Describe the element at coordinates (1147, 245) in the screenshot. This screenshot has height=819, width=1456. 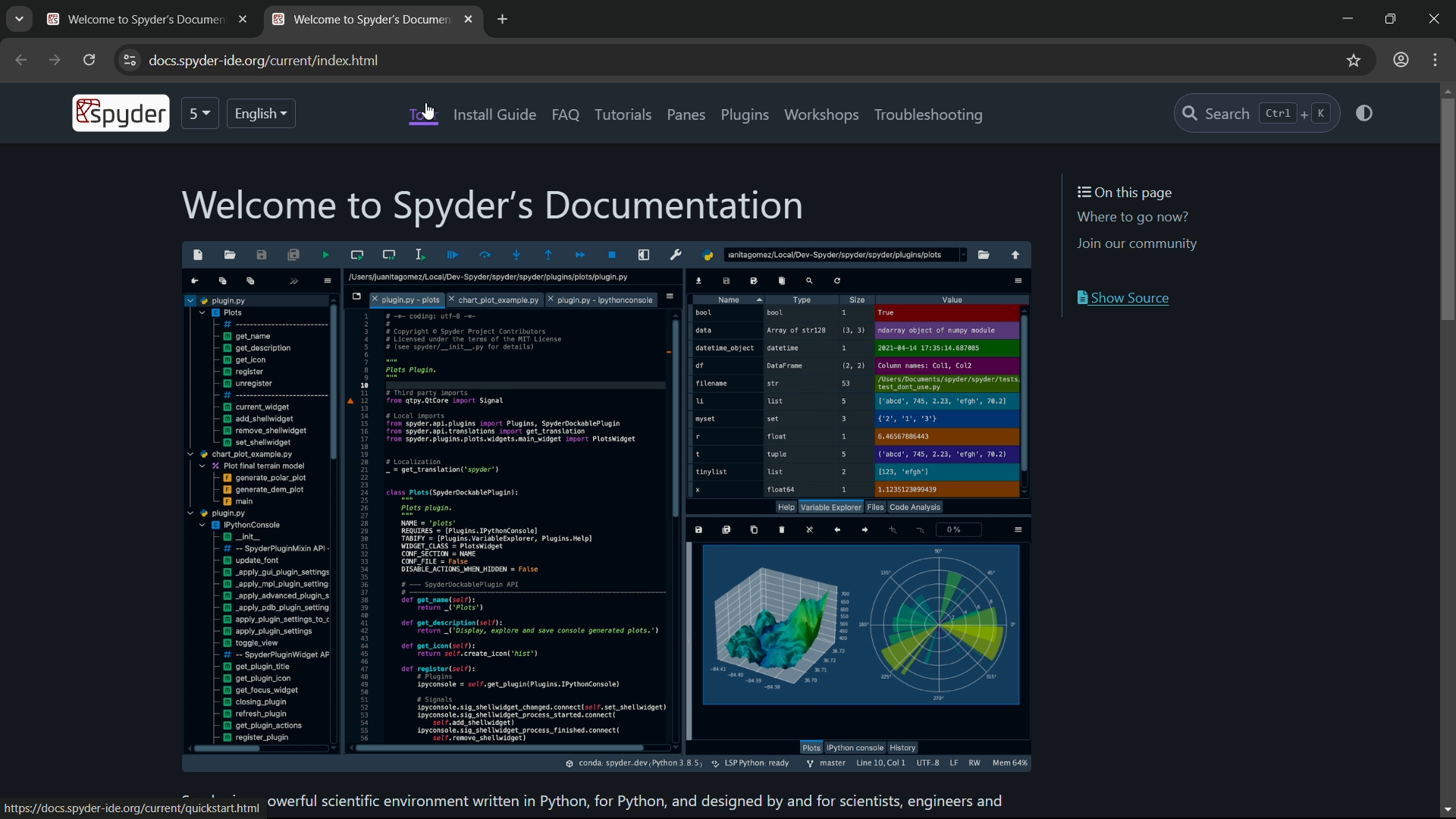
I see `Join our community` at that location.